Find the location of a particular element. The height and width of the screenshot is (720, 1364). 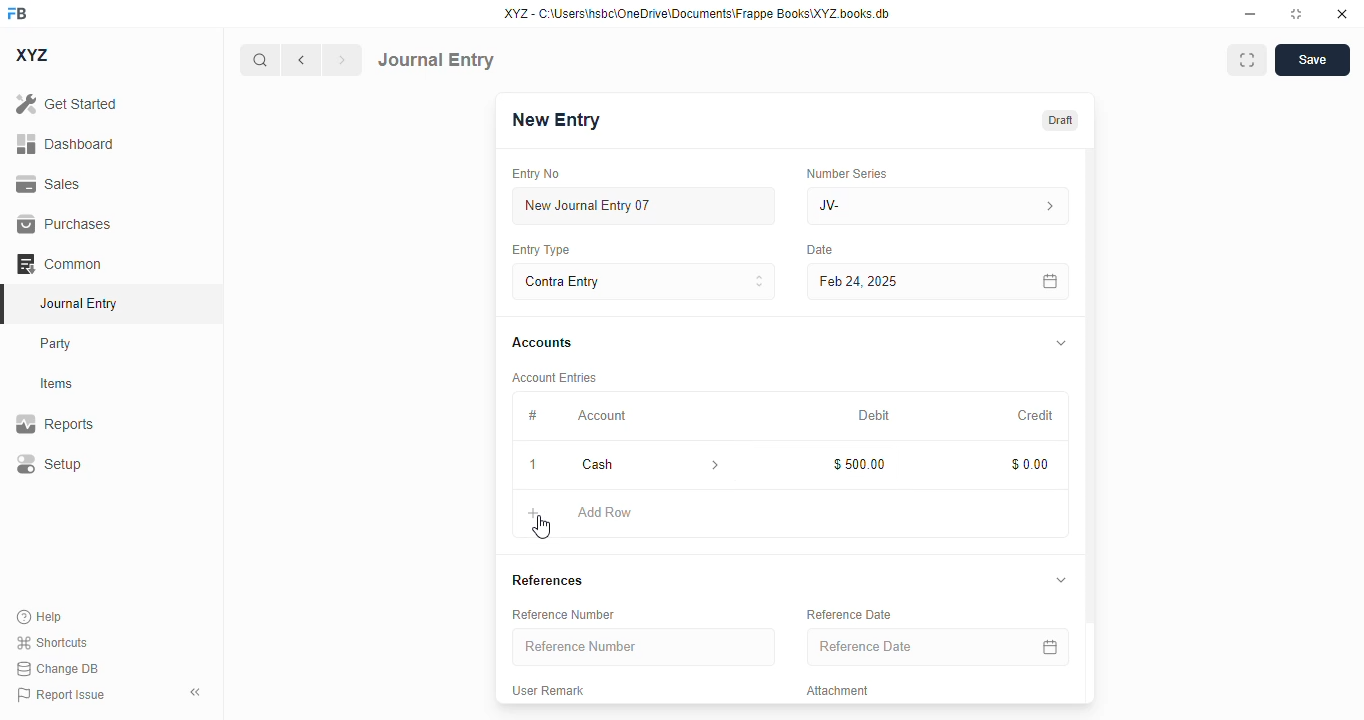

new journal entry 07 is located at coordinates (645, 205).